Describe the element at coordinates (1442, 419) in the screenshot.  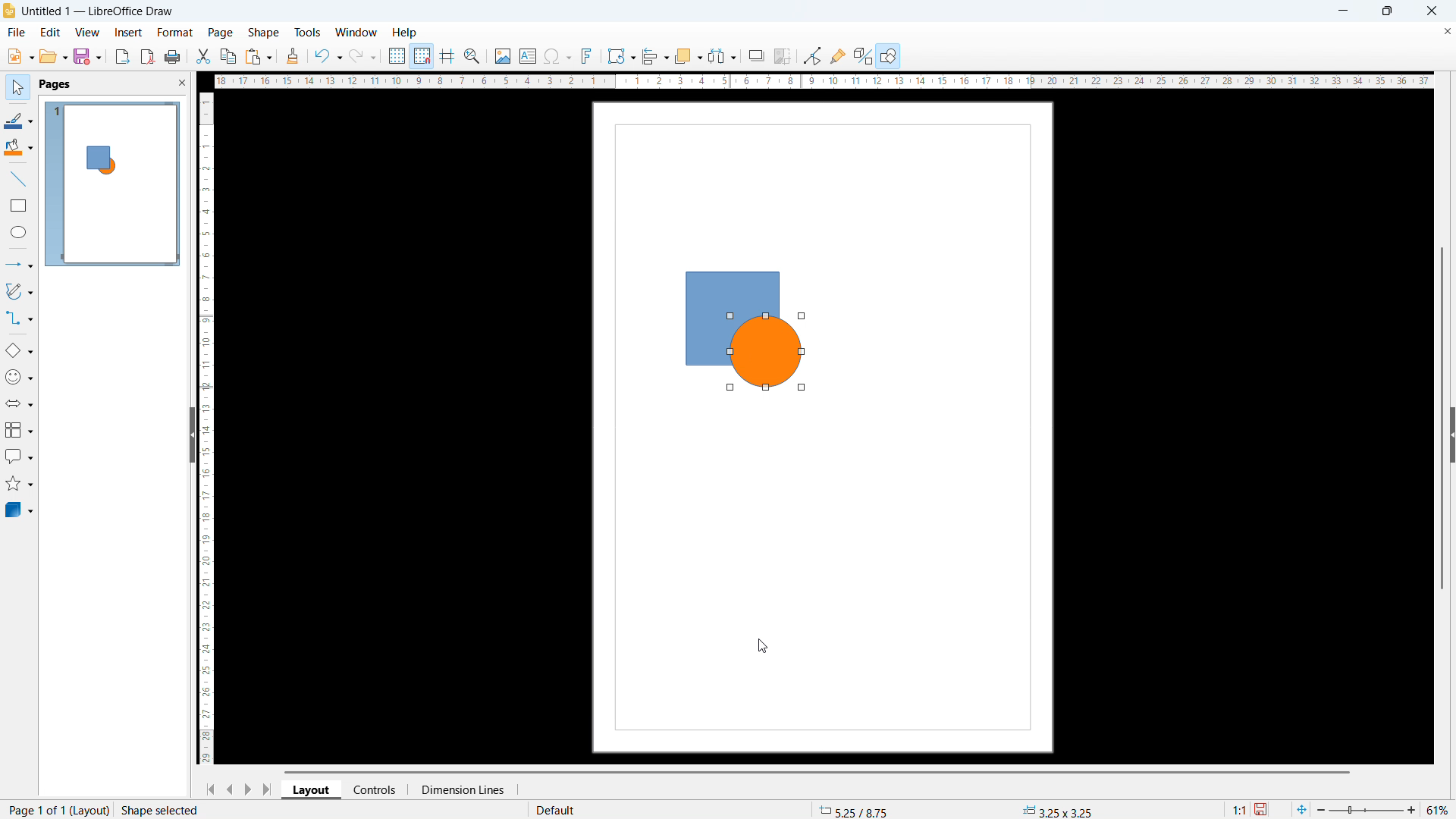
I see `Vertical scroll bar ` at that location.